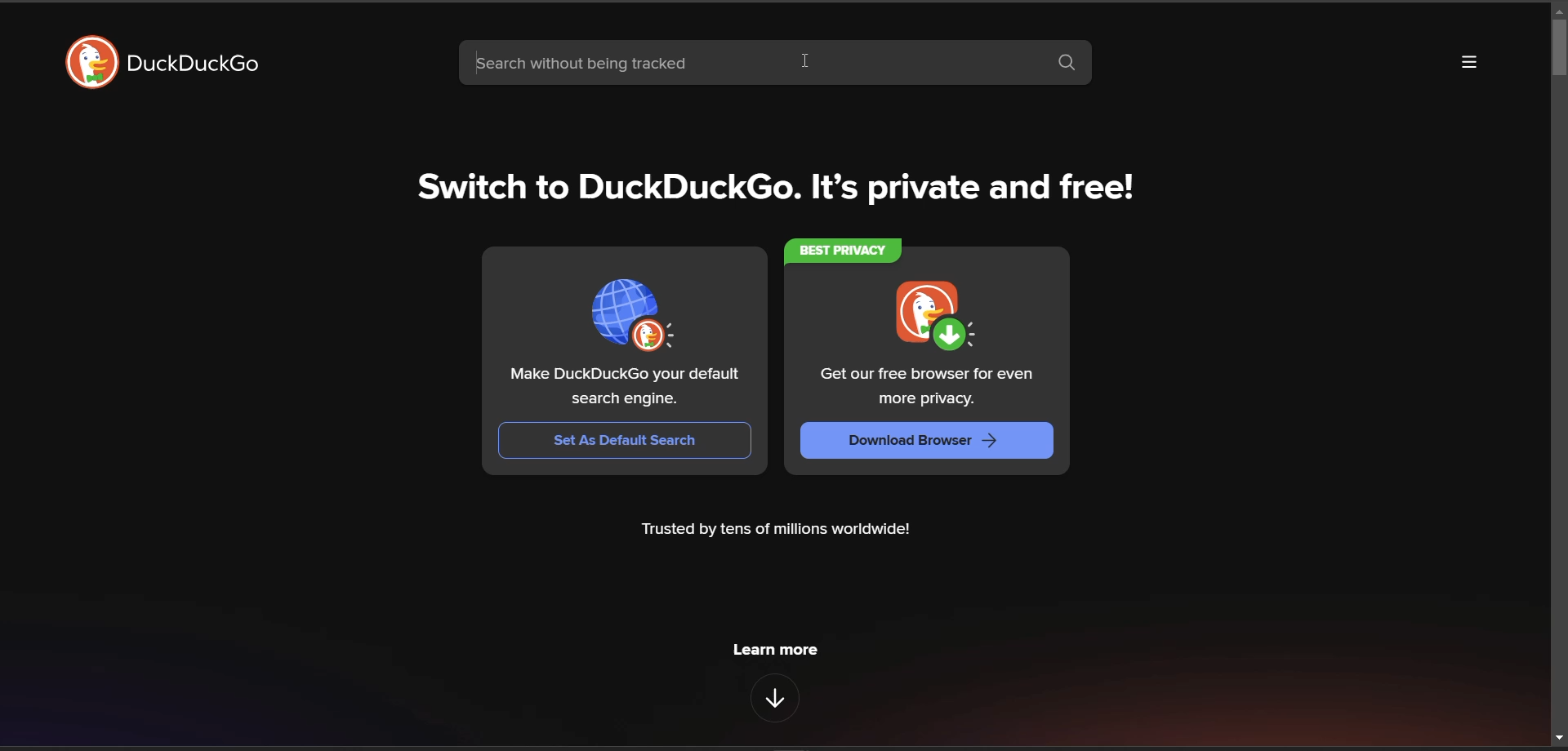  What do you see at coordinates (747, 64) in the screenshot?
I see `search bar` at bounding box center [747, 64].